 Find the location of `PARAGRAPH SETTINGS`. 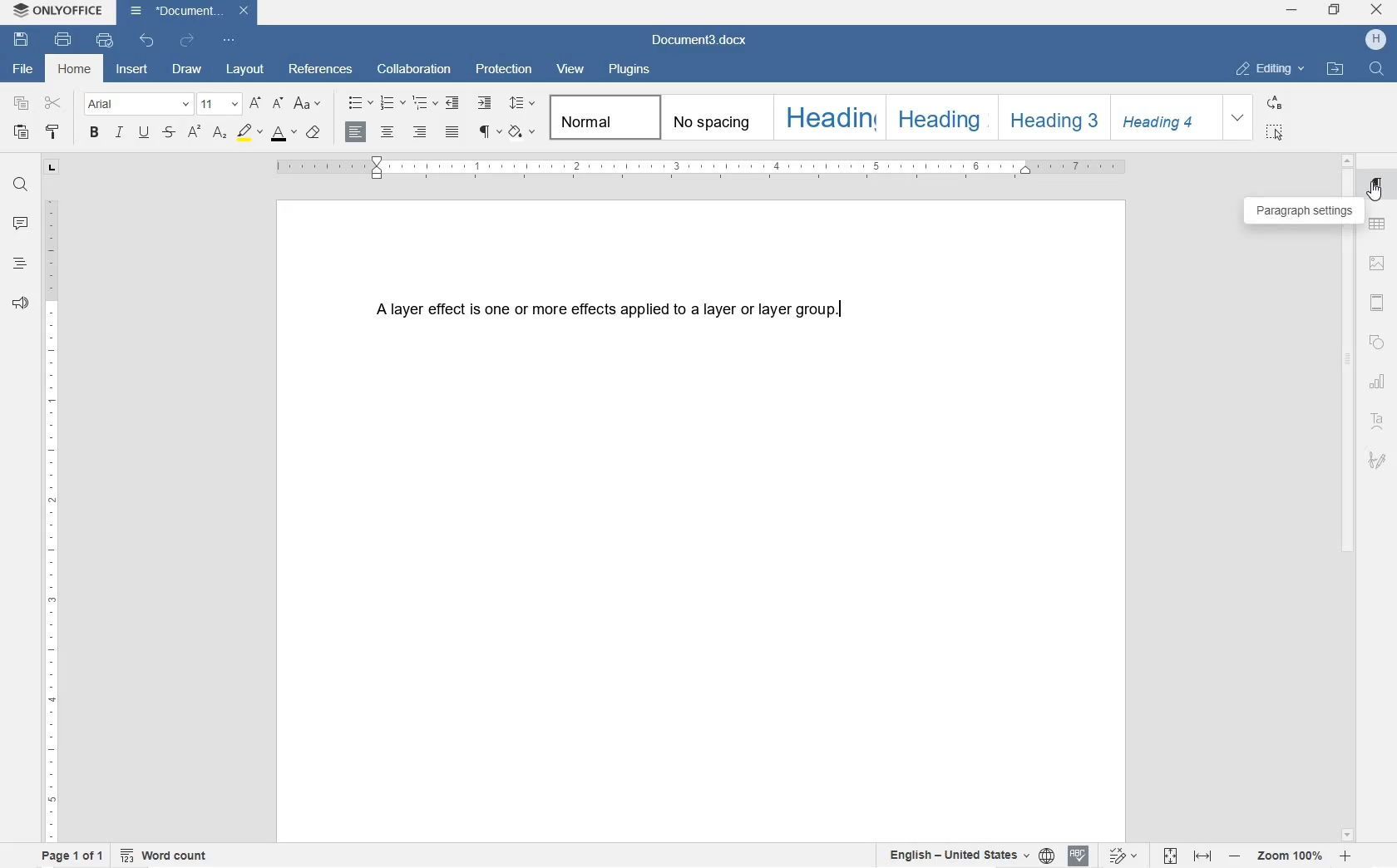

PARAGRAPH SETTINGS is located at coordinates (1377, 187).